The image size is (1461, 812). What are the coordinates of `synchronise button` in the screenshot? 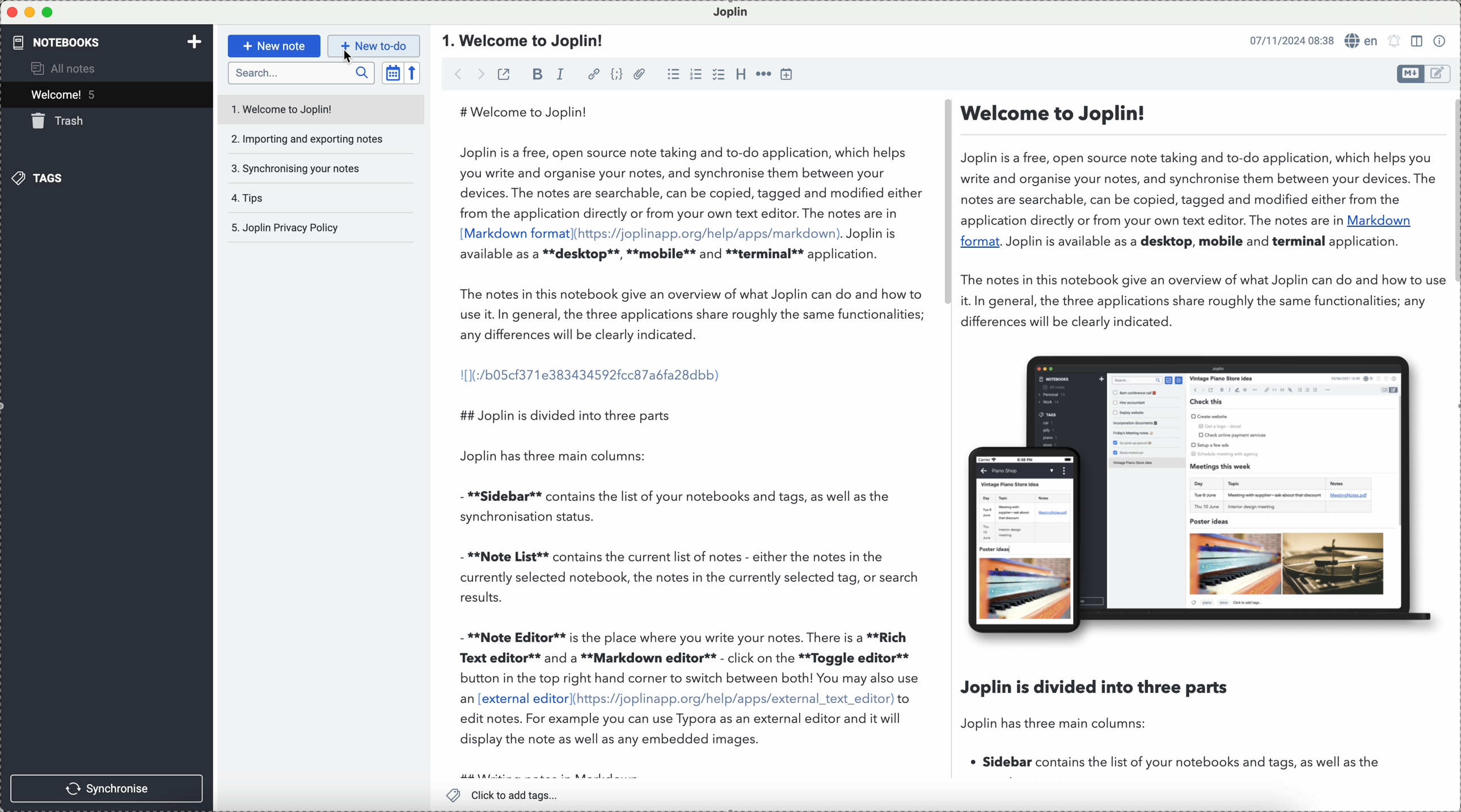 It's located at (106, 789).